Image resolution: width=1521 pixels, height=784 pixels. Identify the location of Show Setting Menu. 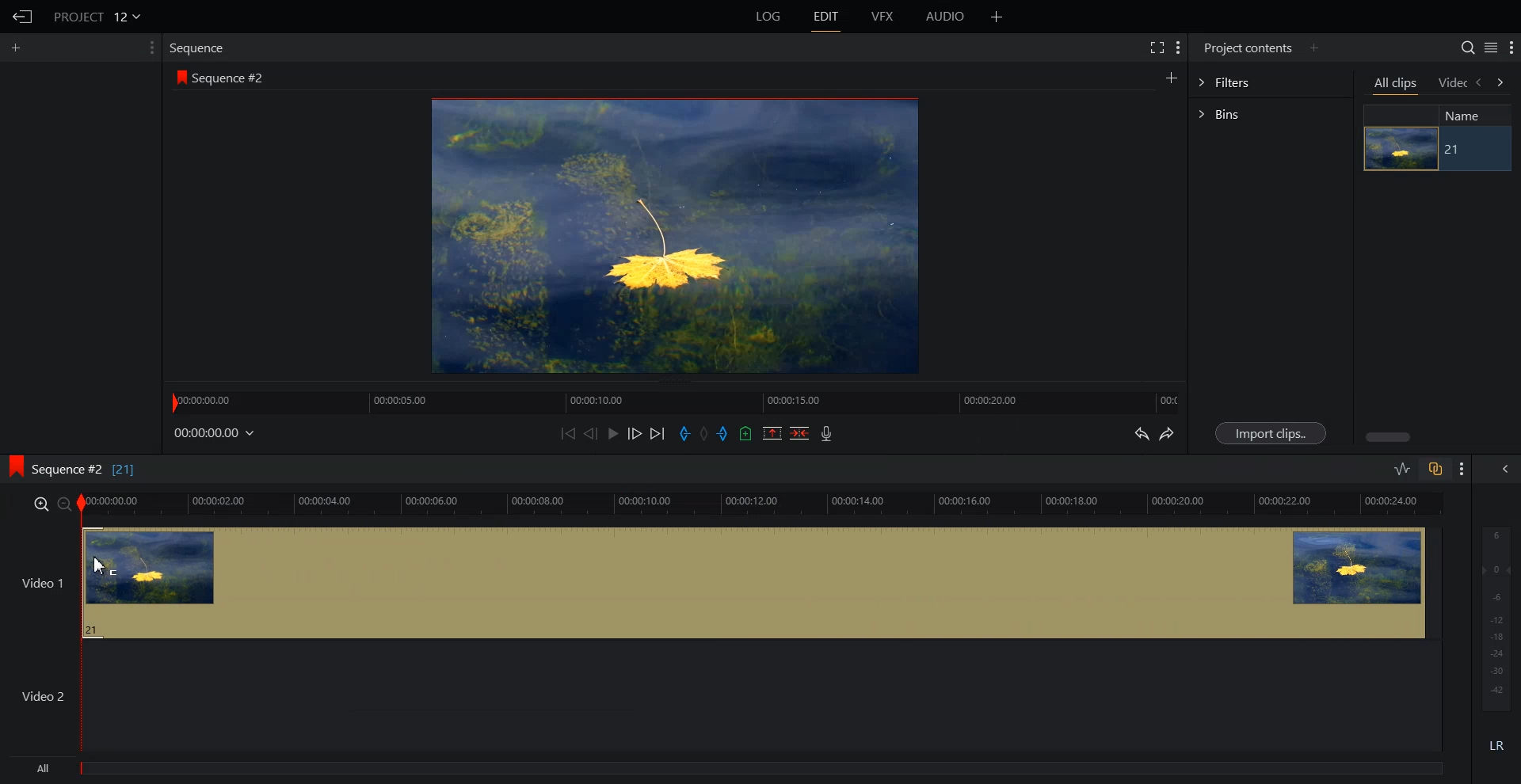
(1179, 48).